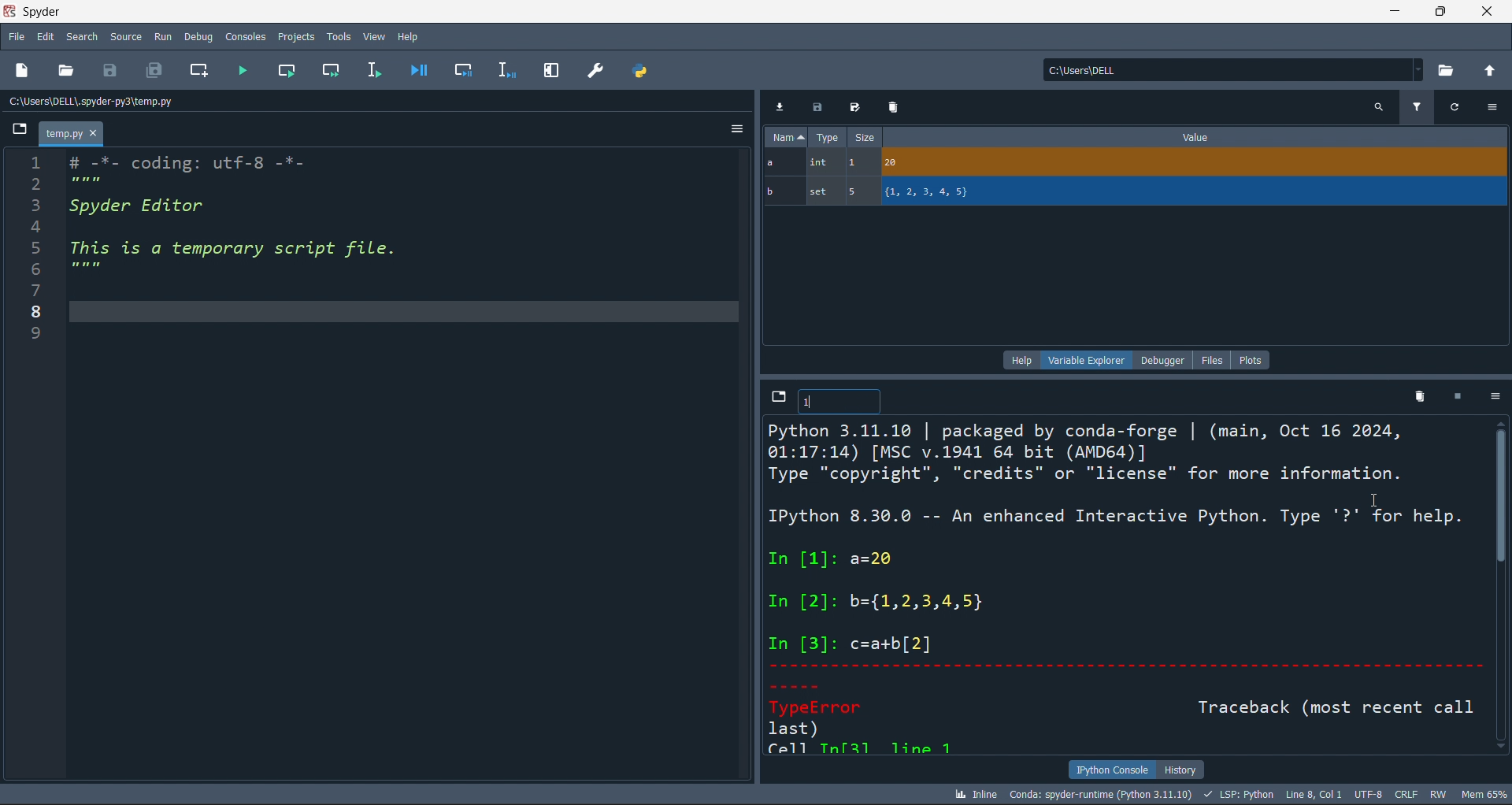 The image size is (1512, 805). Describe the element at coordinates (1378, 106) in the screenshot. I see `search` at that location.